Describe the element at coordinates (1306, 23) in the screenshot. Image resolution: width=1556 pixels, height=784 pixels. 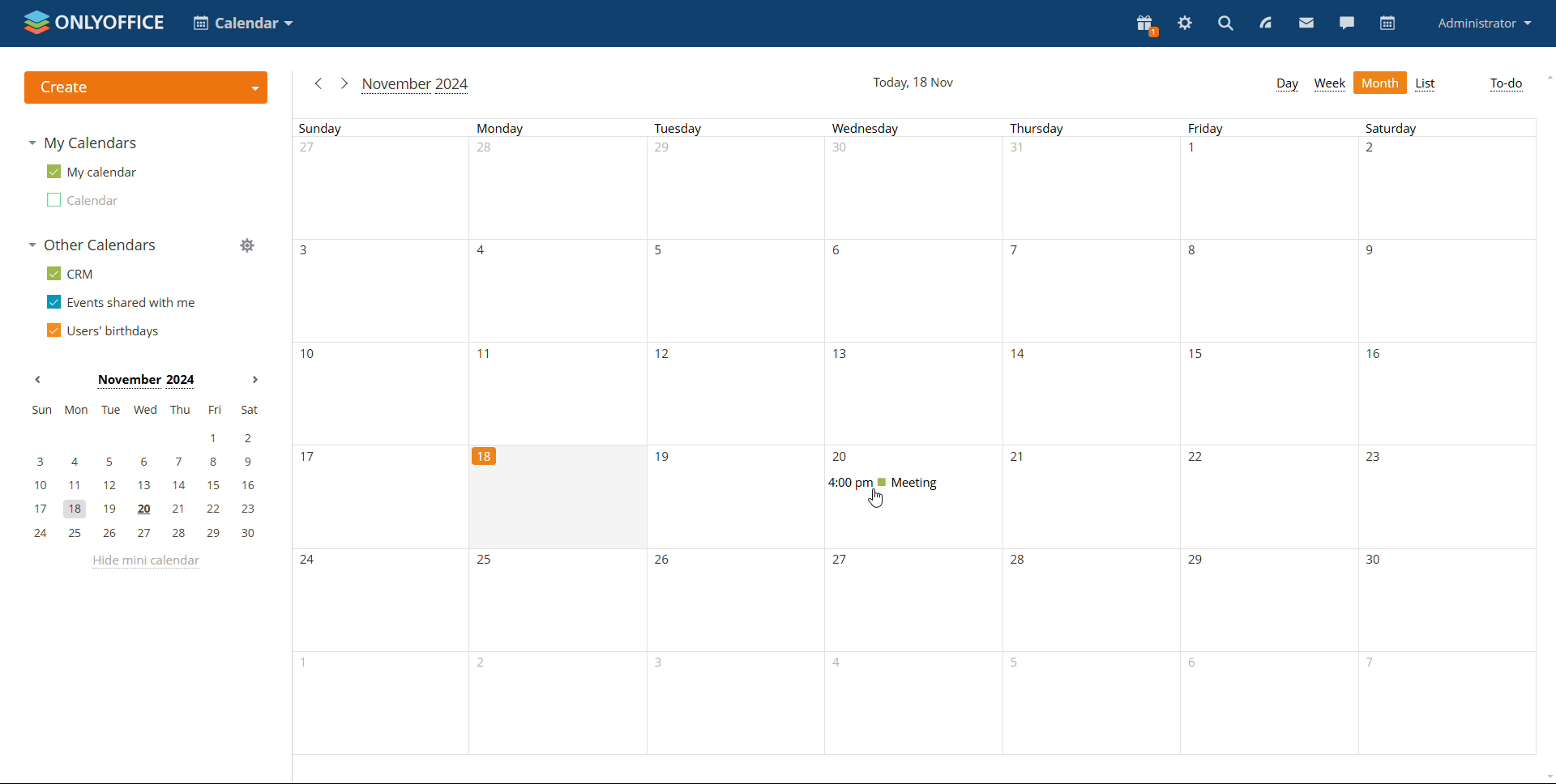
I see `mail` at that location.